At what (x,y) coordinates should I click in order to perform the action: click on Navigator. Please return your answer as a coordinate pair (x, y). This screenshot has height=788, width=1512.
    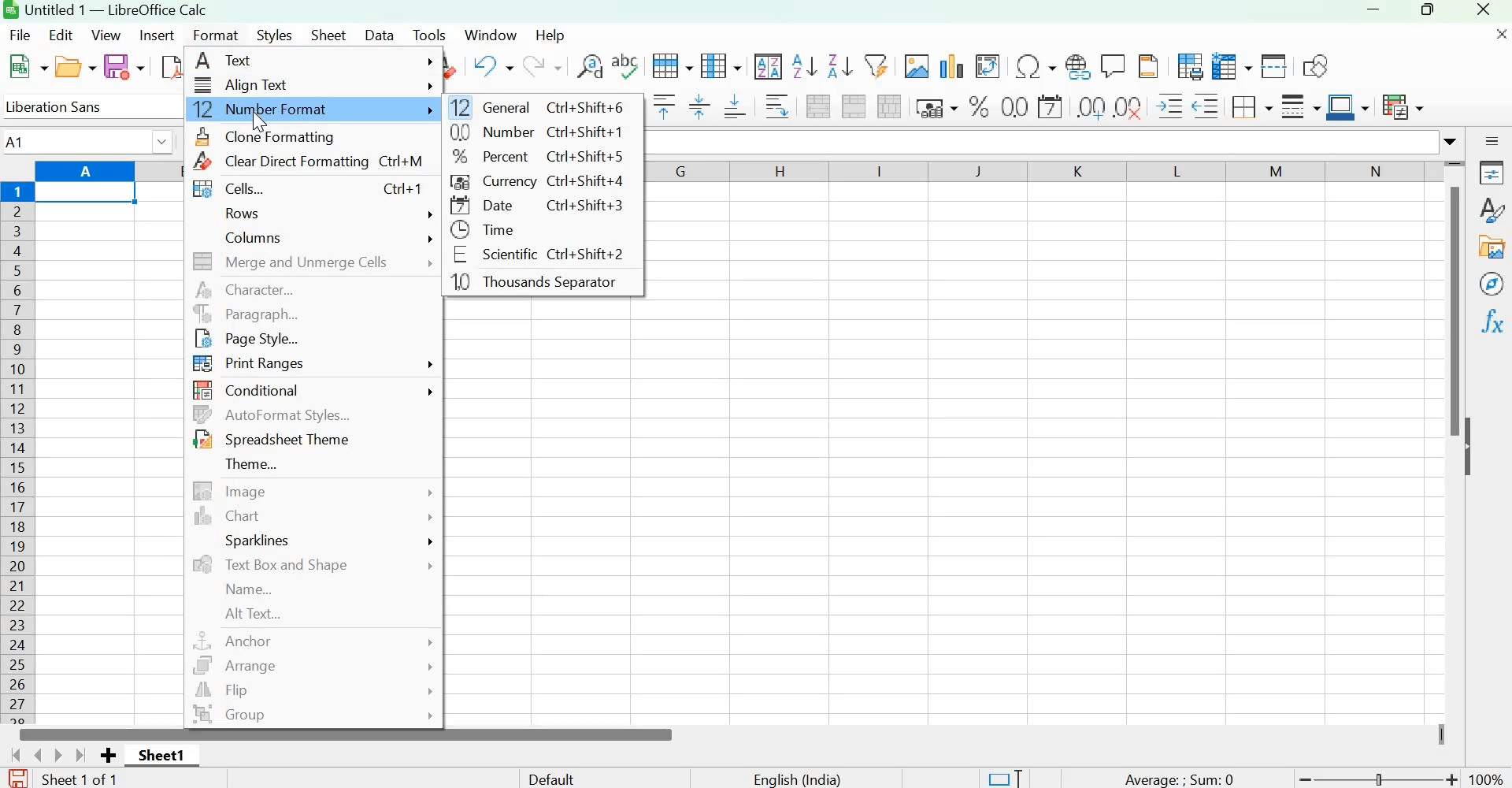
    Looking at the image, I should click on (1492, 284).